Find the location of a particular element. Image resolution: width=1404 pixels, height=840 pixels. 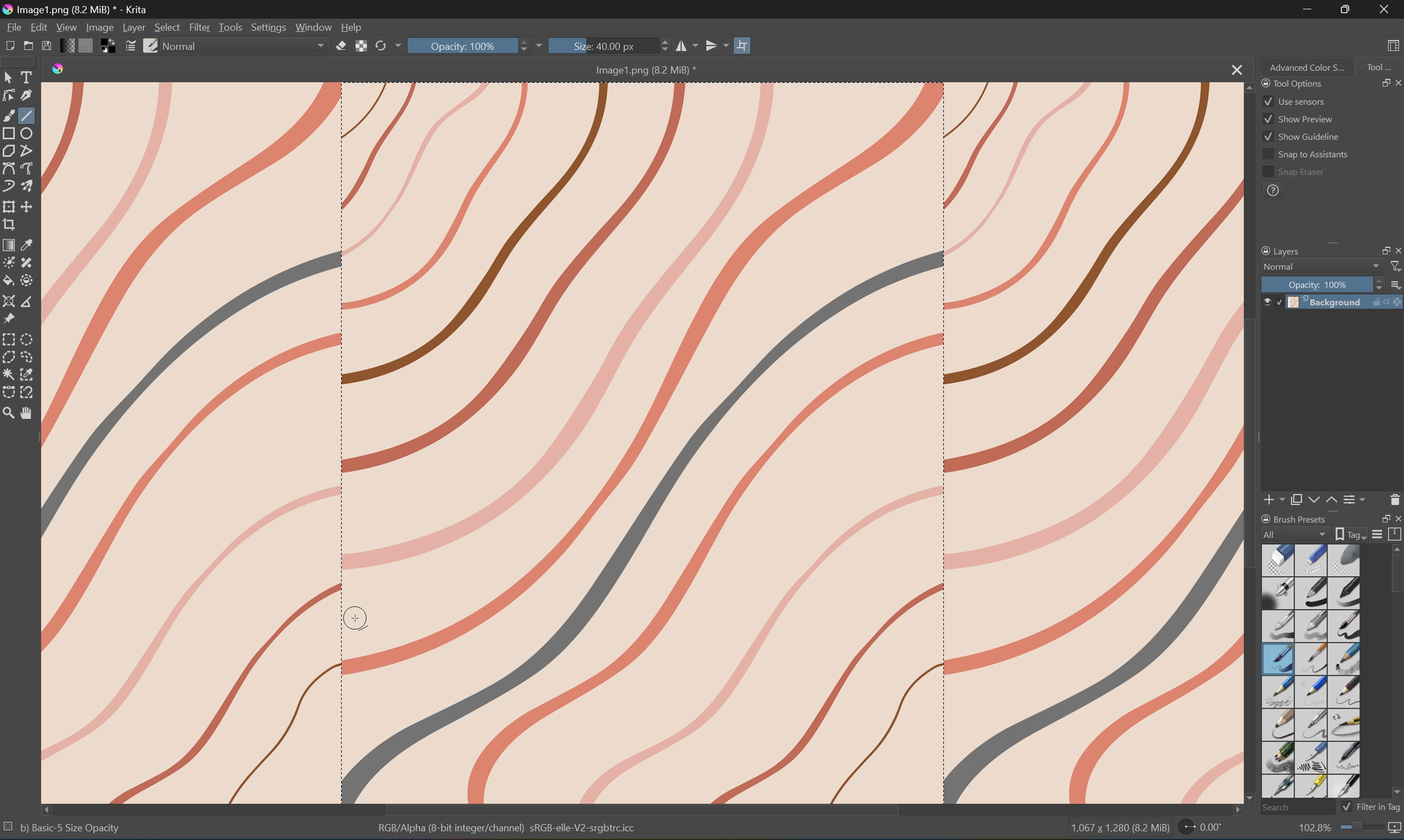

Storage resources is located at coordinates (1396, 534).